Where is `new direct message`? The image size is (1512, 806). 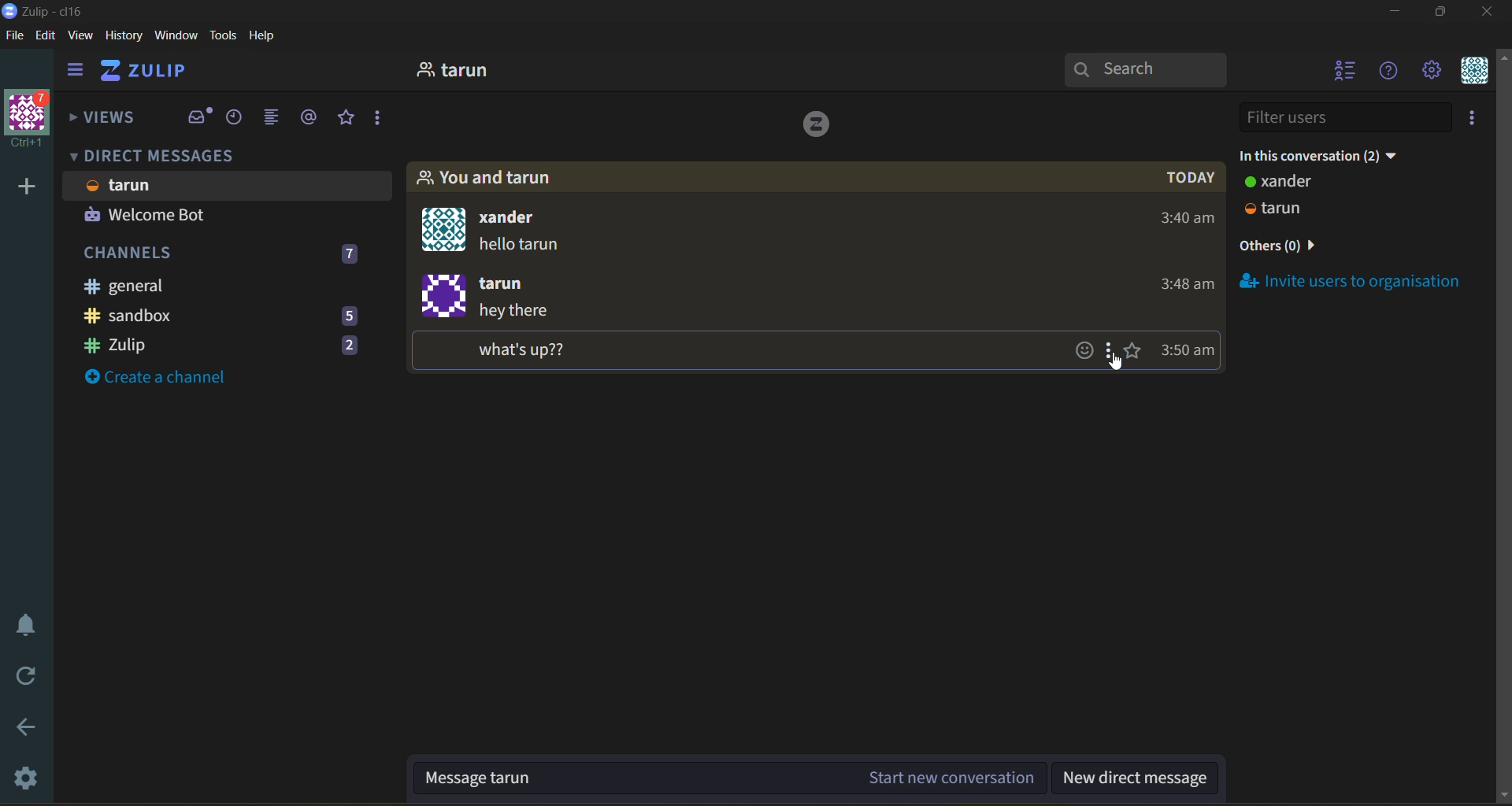 new direct message is located at coordinates (1143, 779).